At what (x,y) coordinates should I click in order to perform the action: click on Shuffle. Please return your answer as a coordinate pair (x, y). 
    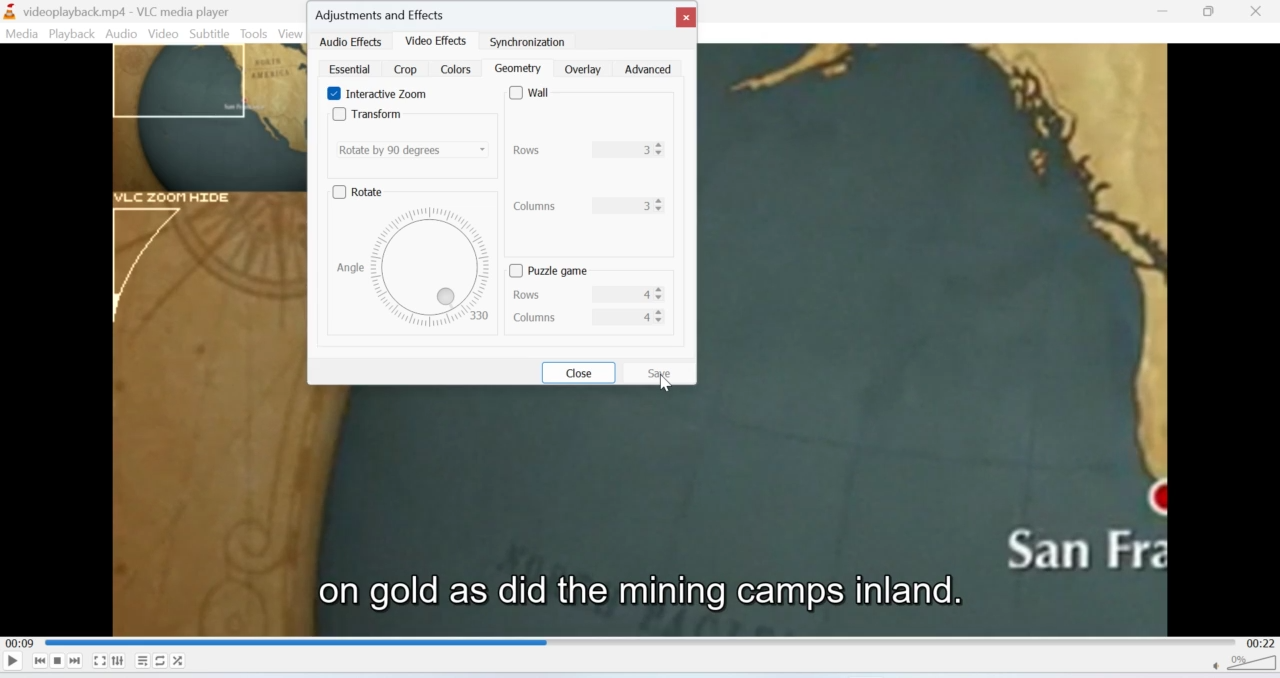
    Looking at the image, I should click on (179, 661).